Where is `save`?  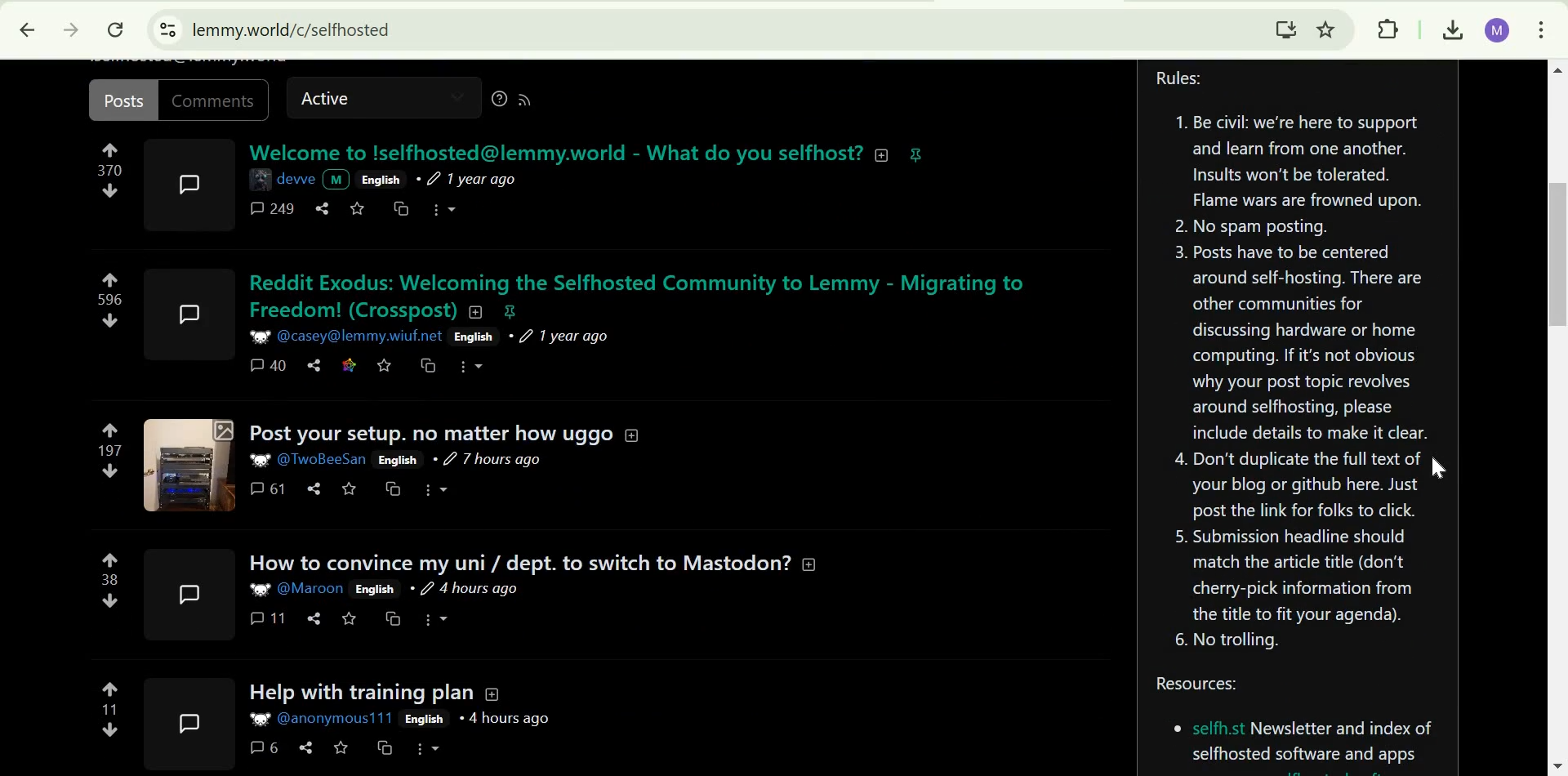 save is located at coordinates (386, 365).